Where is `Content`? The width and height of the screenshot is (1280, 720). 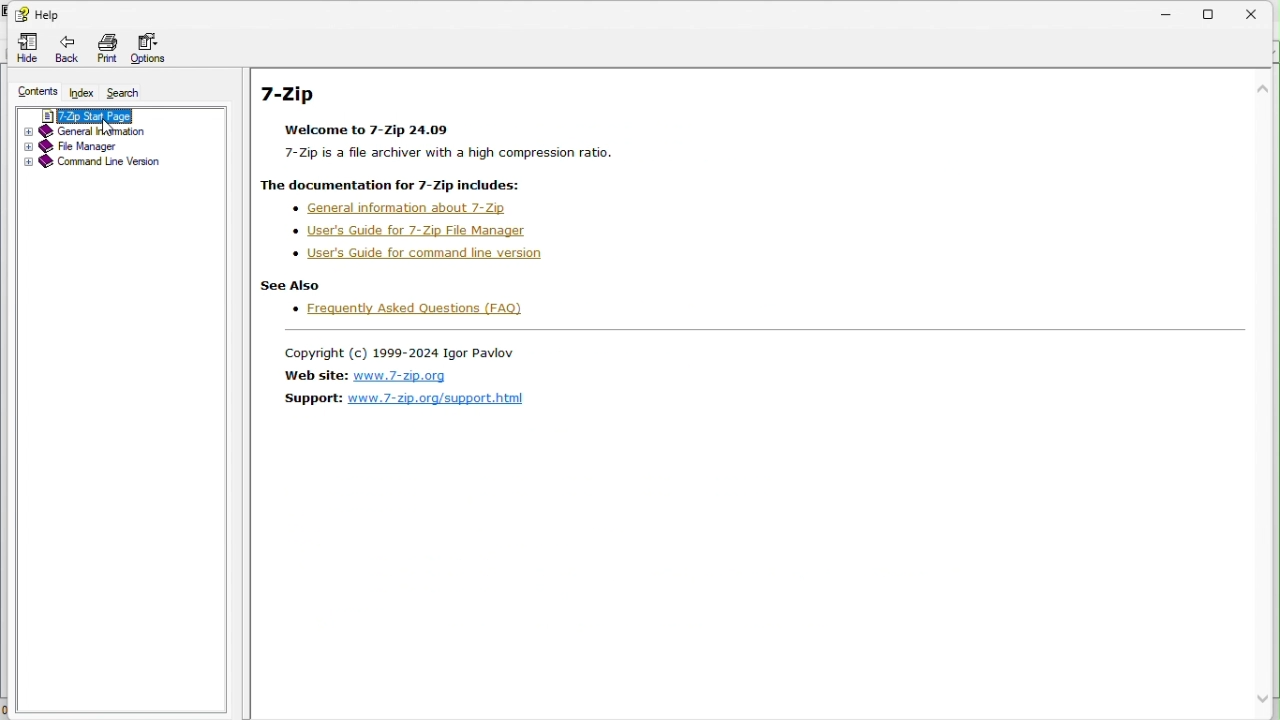
Content is located at coordinates (31, 89).